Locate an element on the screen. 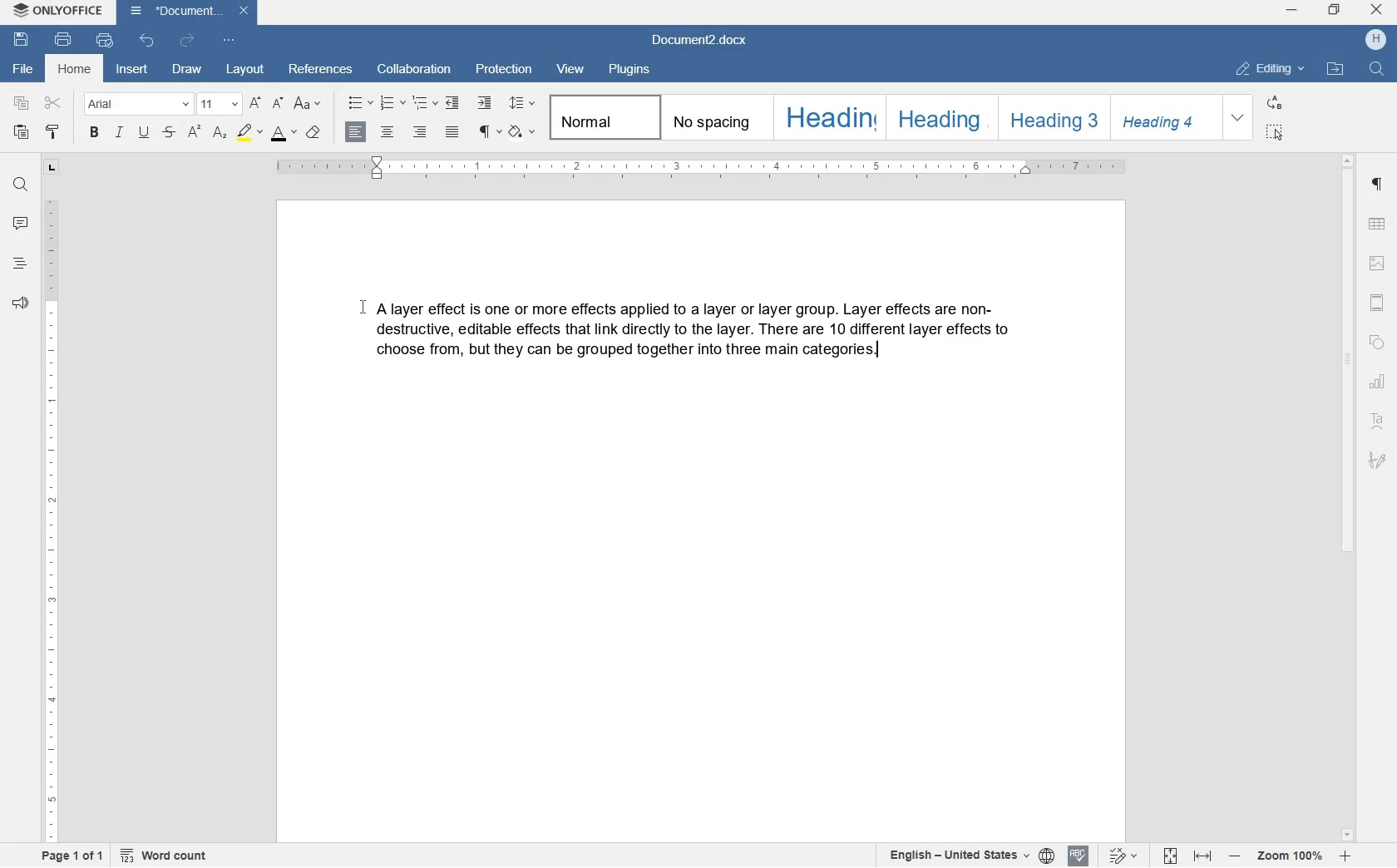  view is located at coordinates (571, 71).